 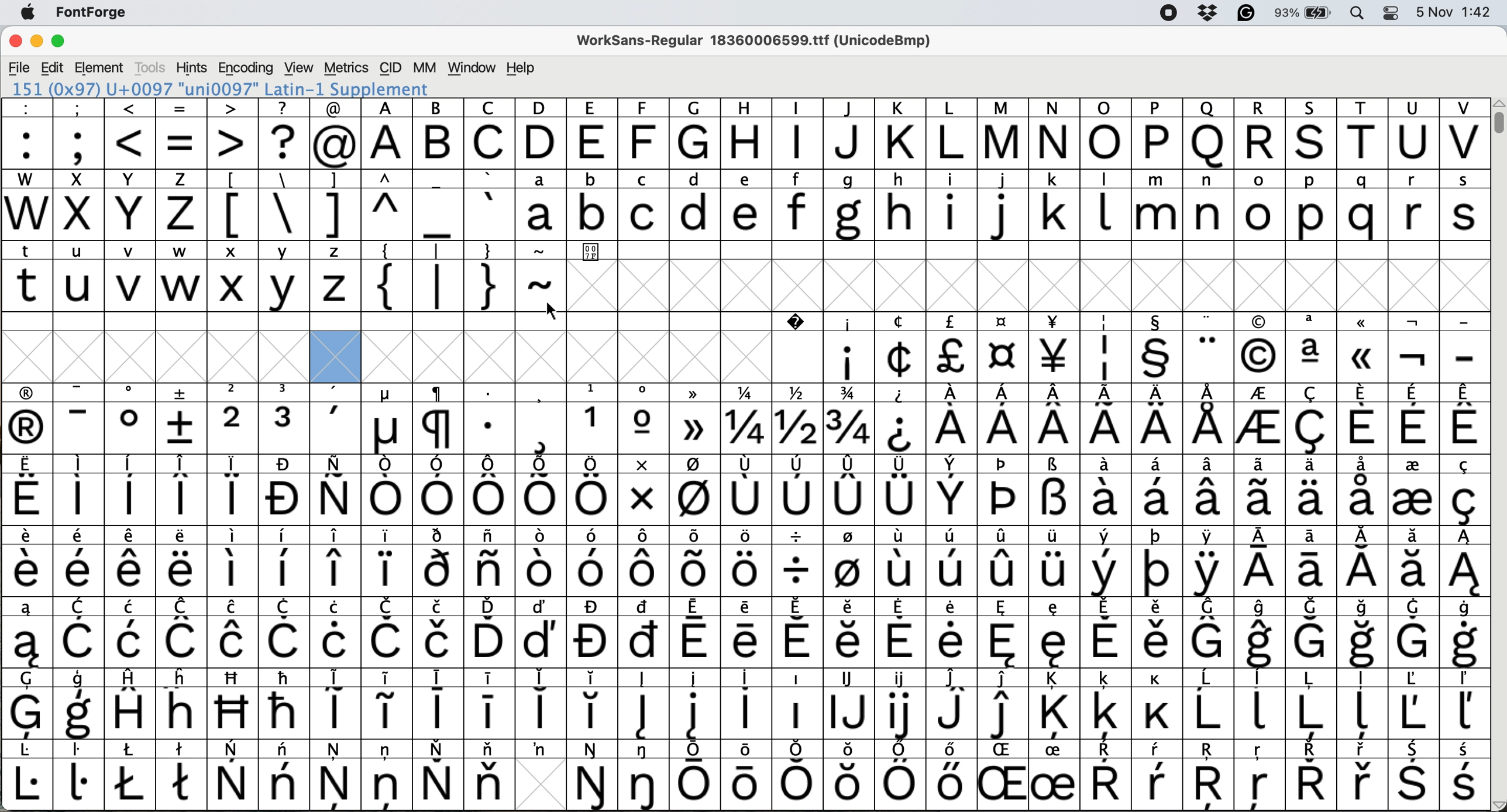 What do you see at coordinates (27, 562) in the screenshot?
I see `symbol` at bounding box center [27, 562].